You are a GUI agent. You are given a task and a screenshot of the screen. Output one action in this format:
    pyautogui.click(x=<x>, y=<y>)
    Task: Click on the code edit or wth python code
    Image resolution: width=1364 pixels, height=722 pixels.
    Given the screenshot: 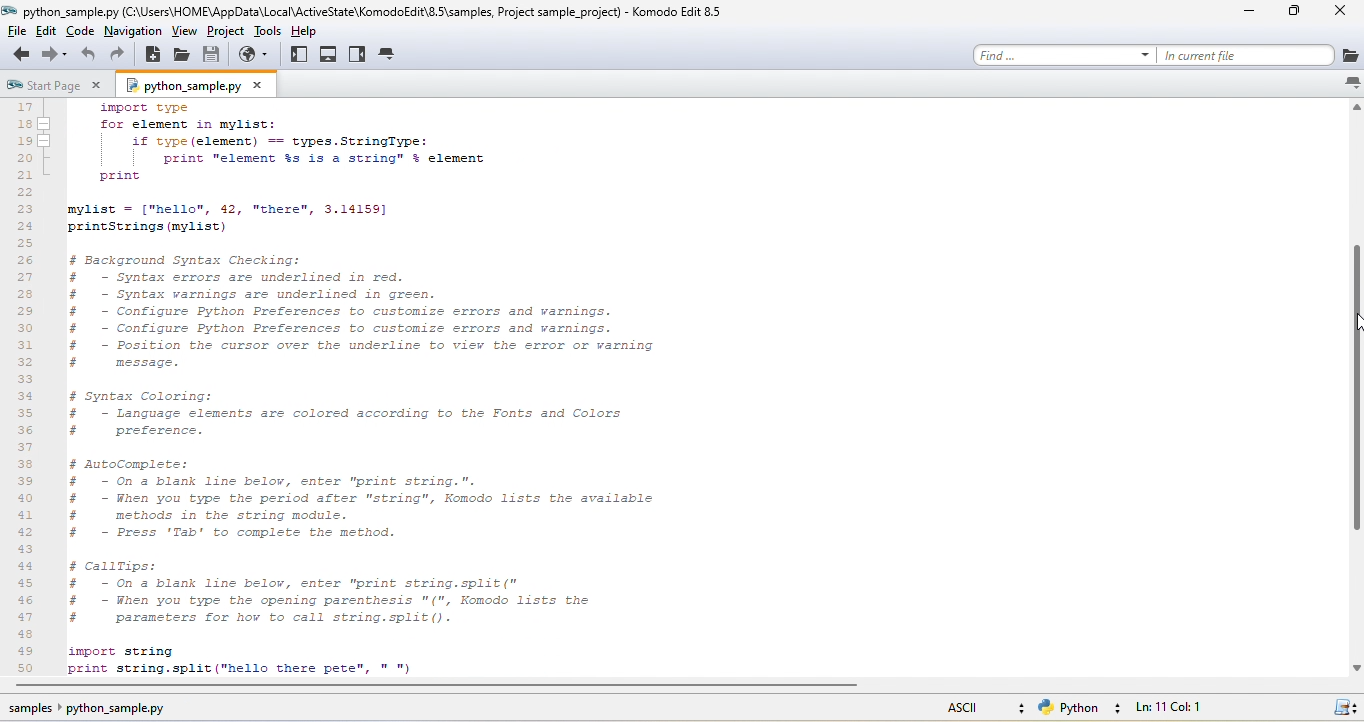 What is the action you would take?
    pyautogui.click(x=454, y=390)
    